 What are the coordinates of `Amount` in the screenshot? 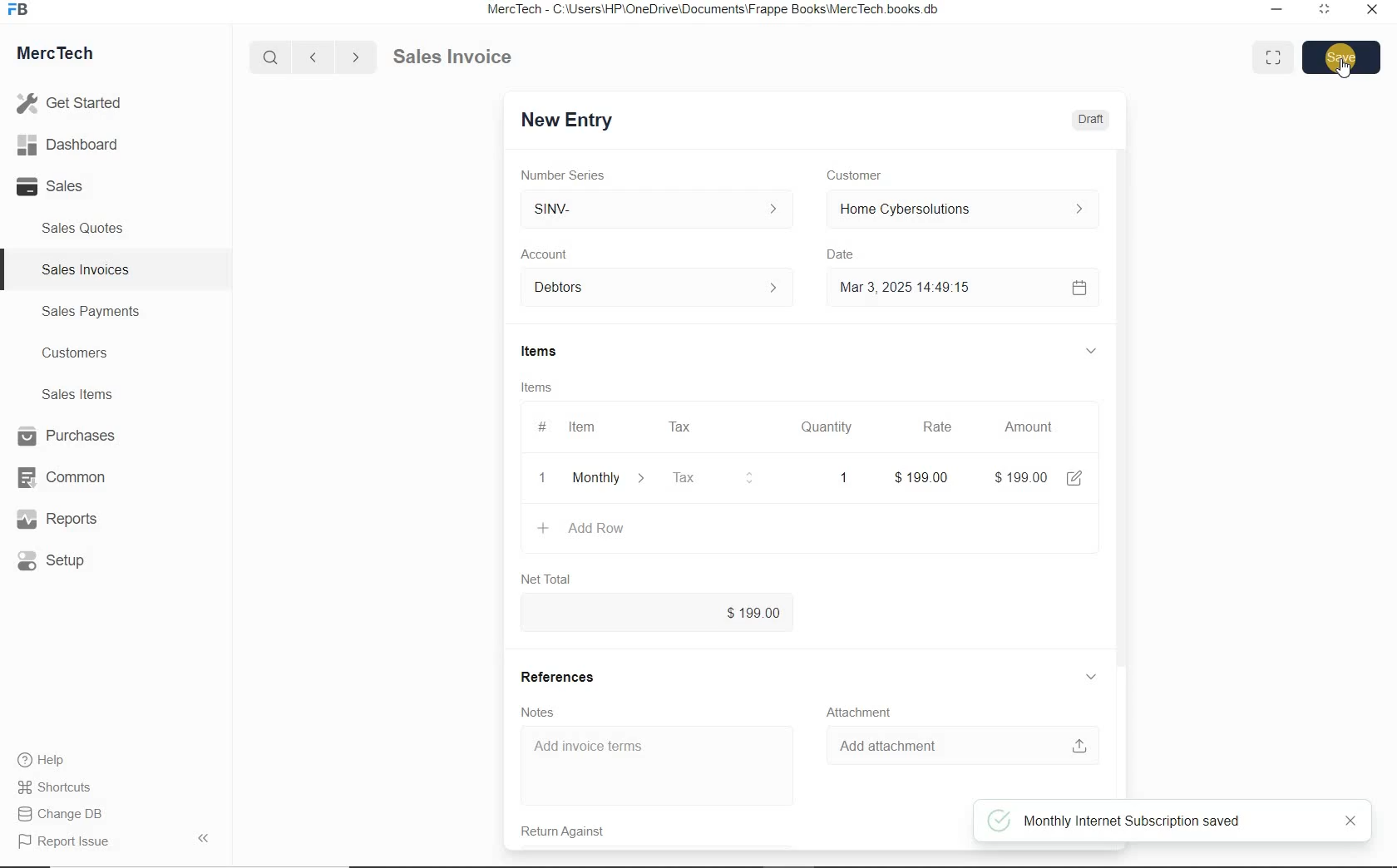 It's located at (1028, 428).